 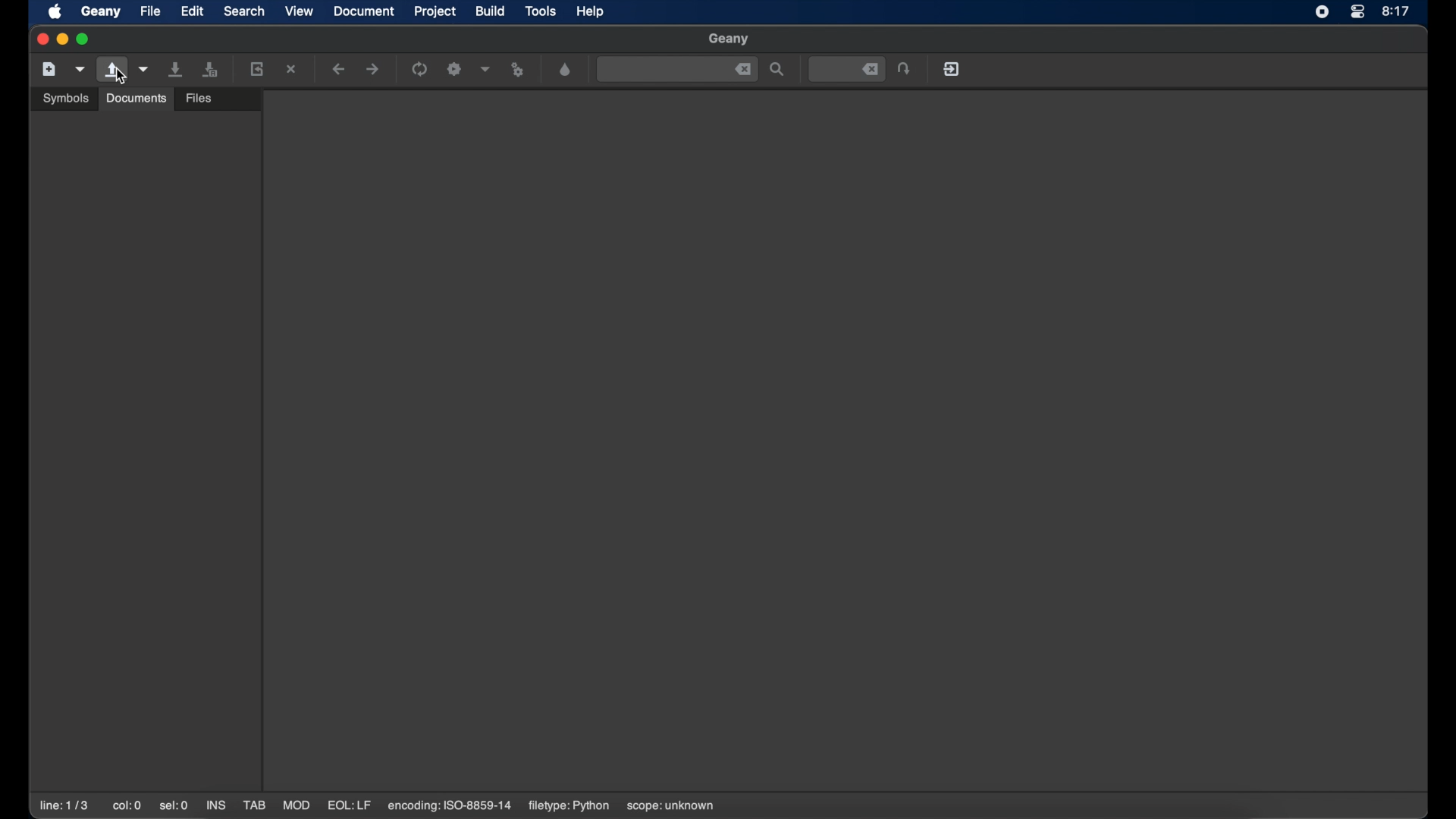 What do you see at coordinates (199, 99) in the screenshot?
I see `files` at bounding box center [199, 99].